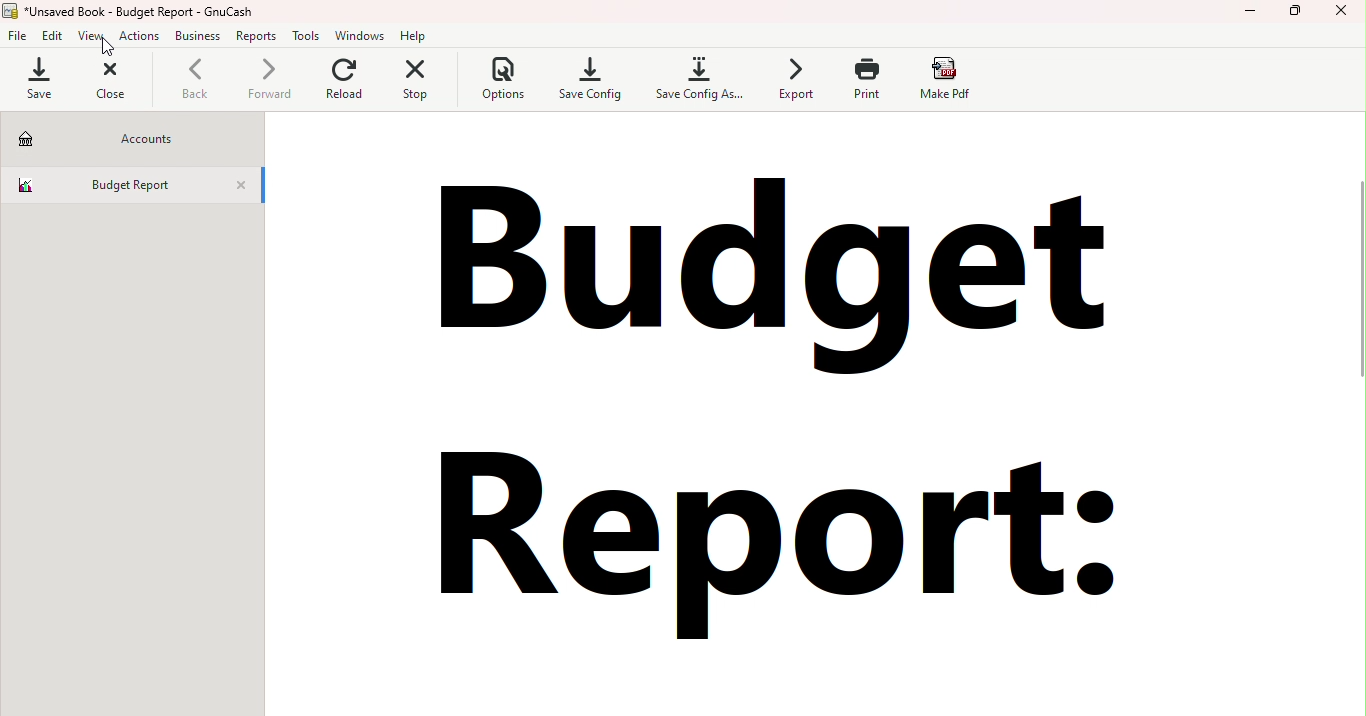  I want to click on Budget report, so click(781, 421).